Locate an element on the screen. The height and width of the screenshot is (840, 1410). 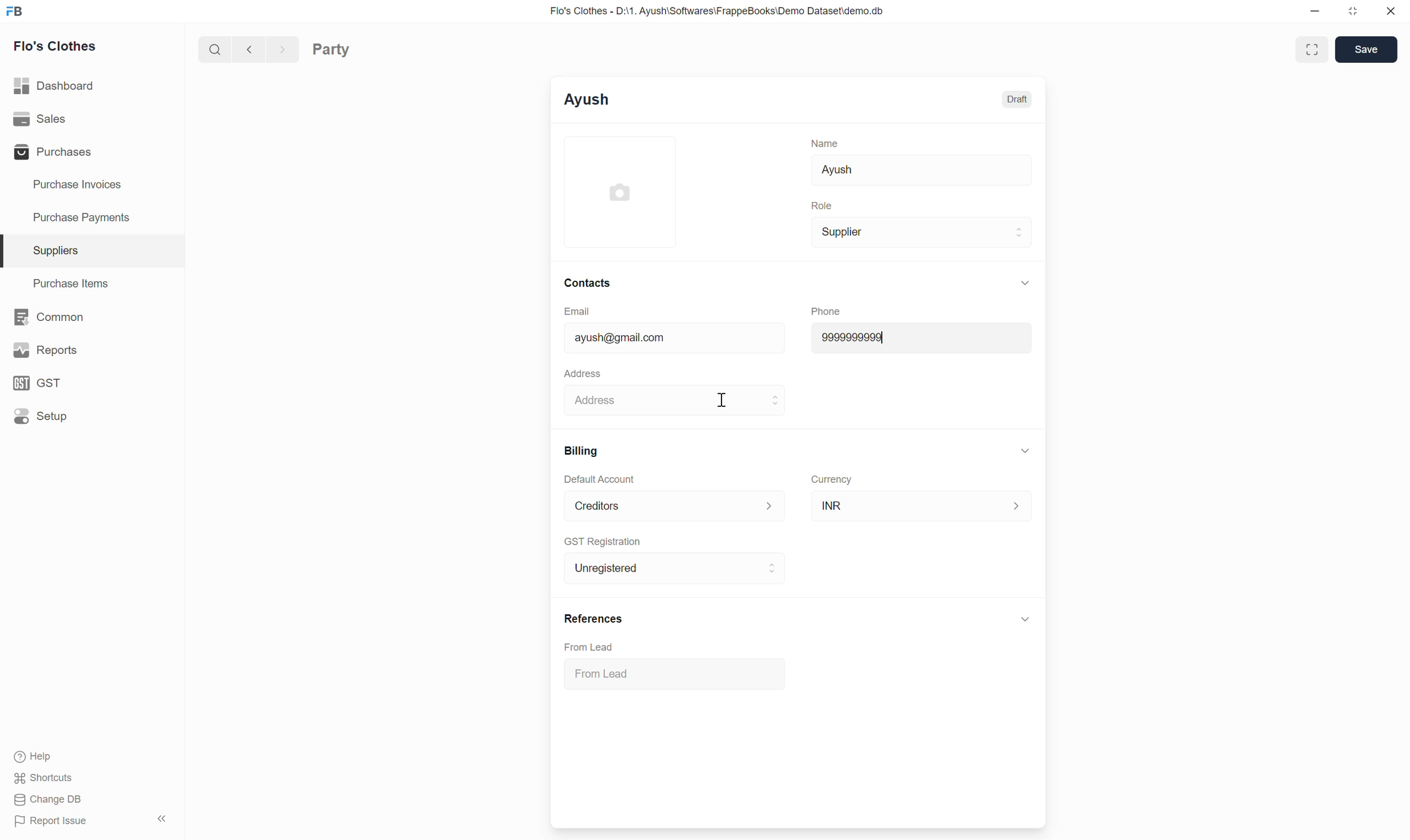
Contacts is located at coordinates (588, 283).